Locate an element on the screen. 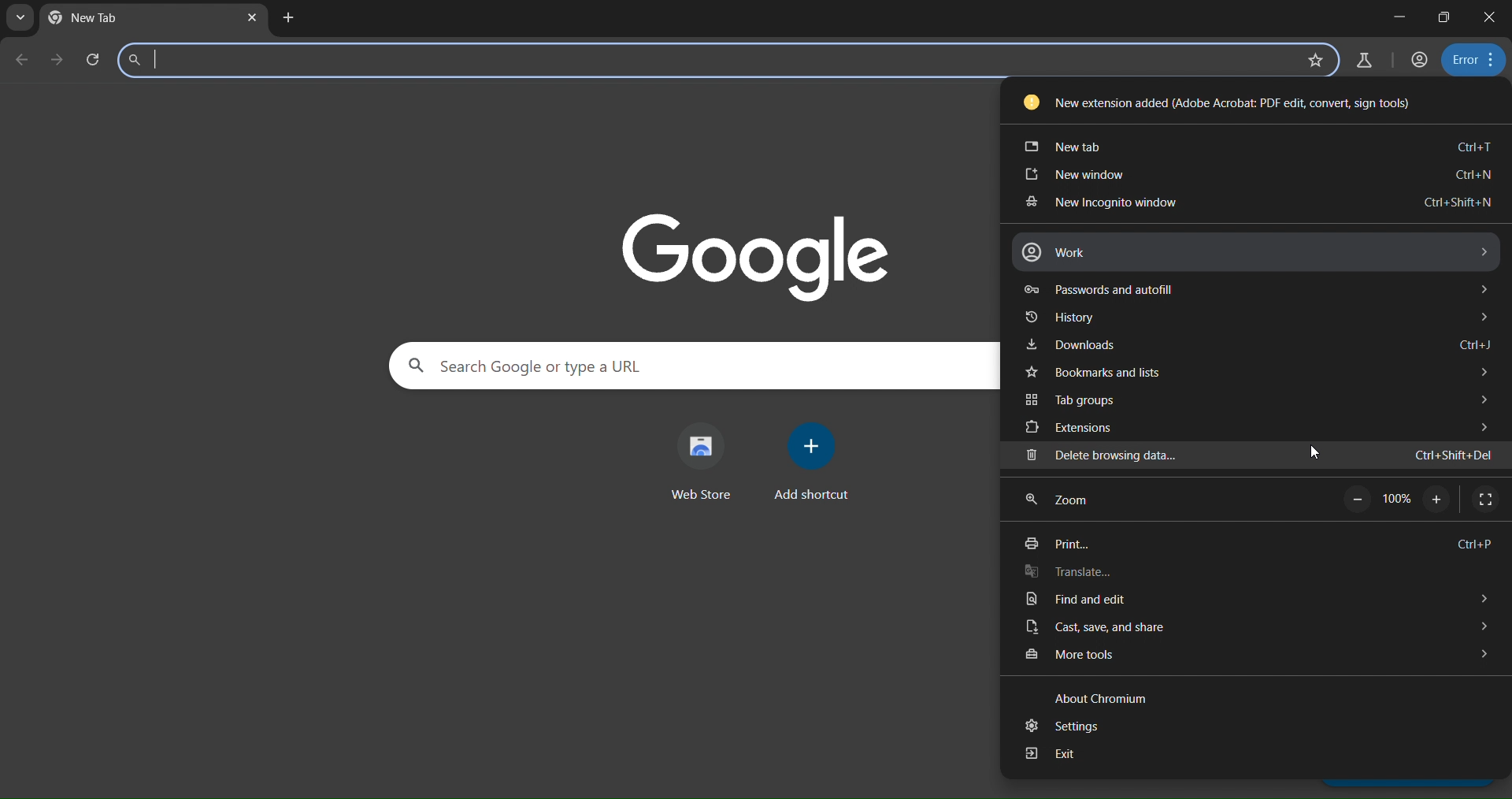  exit is located at coordinates (1242, 756).